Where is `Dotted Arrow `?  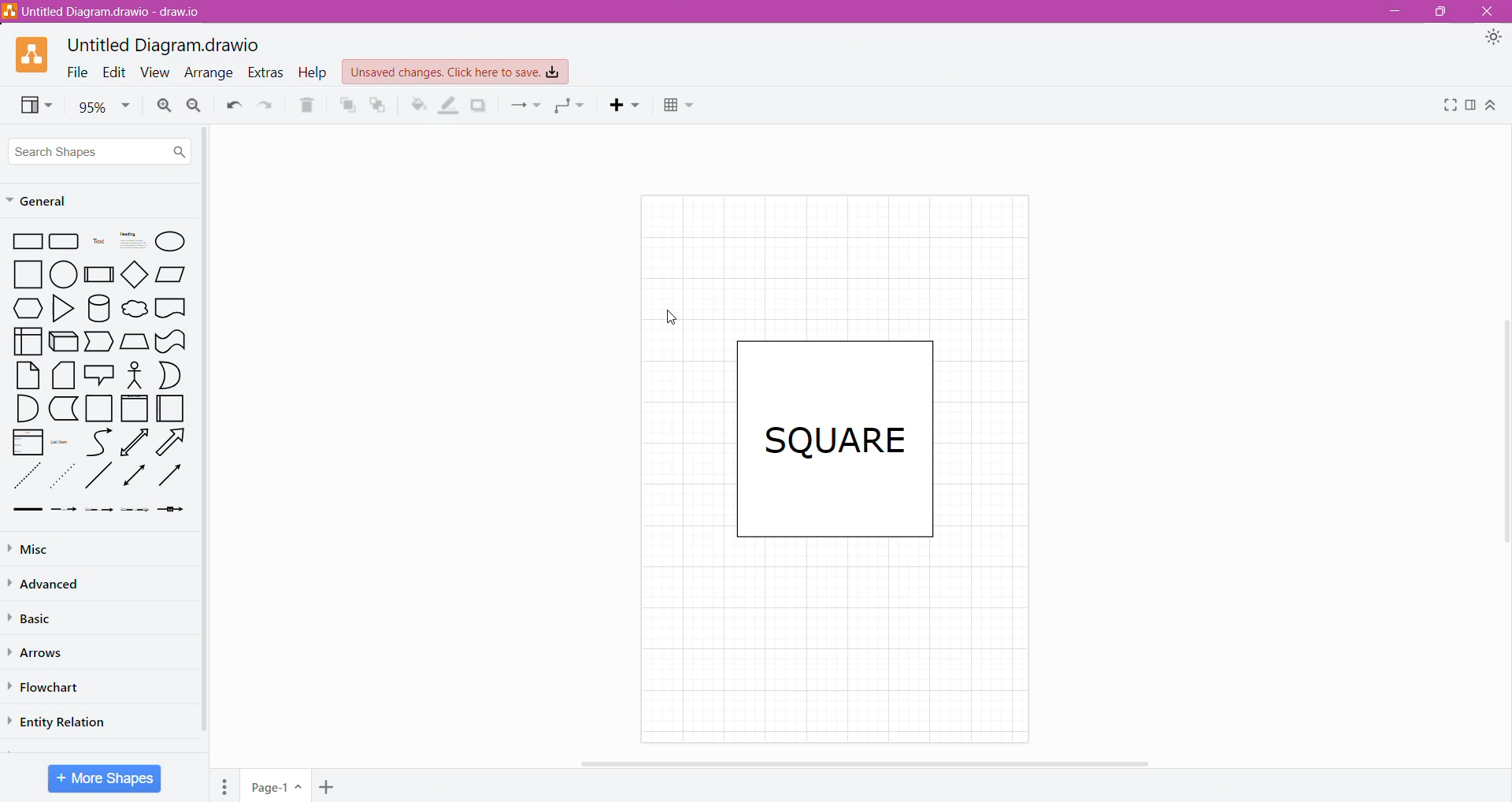 Dotted Arrow  is located at coordinates (64, 477).